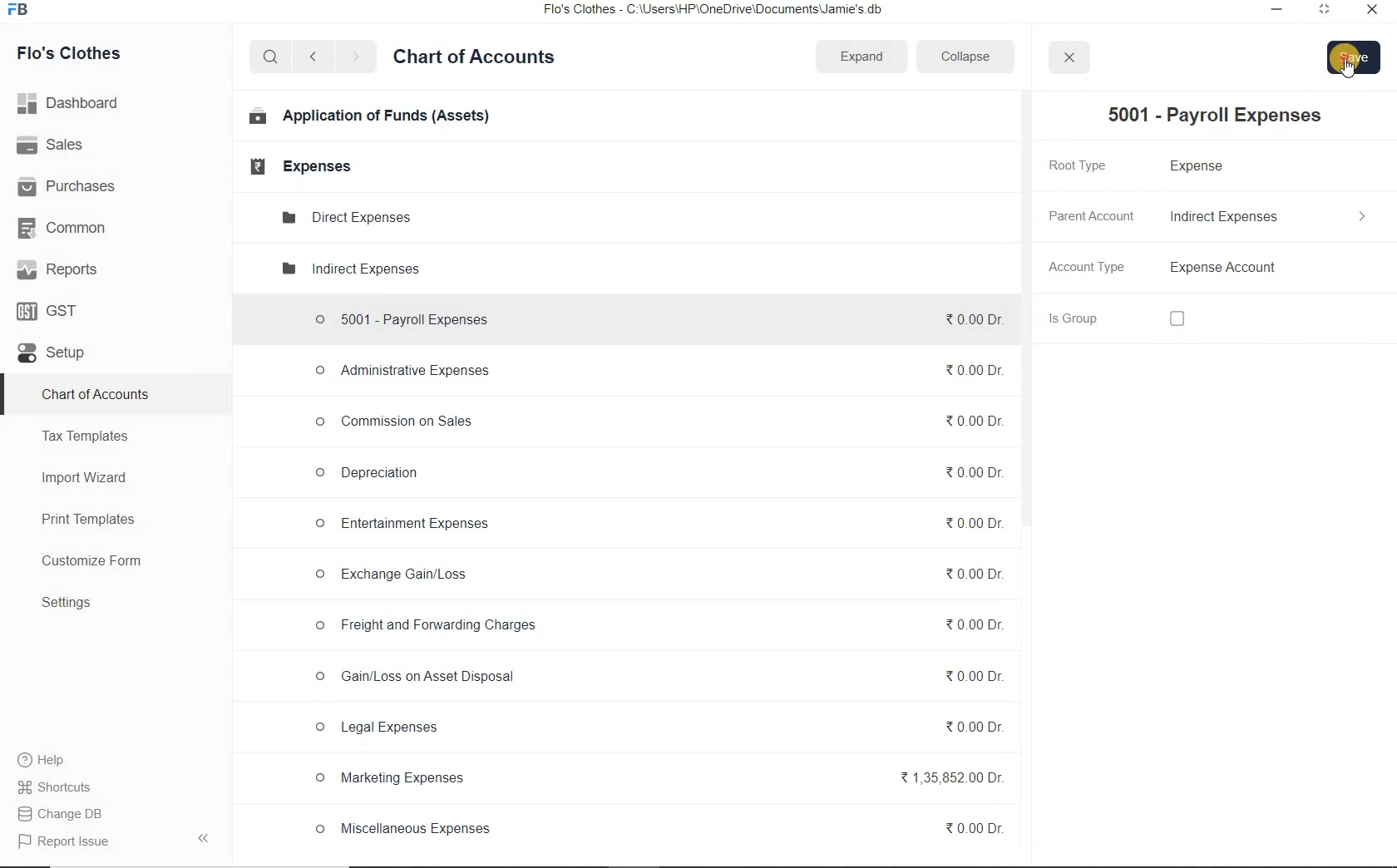 The image size is (1397, 868). I want to click on close, so click(1068, 57).